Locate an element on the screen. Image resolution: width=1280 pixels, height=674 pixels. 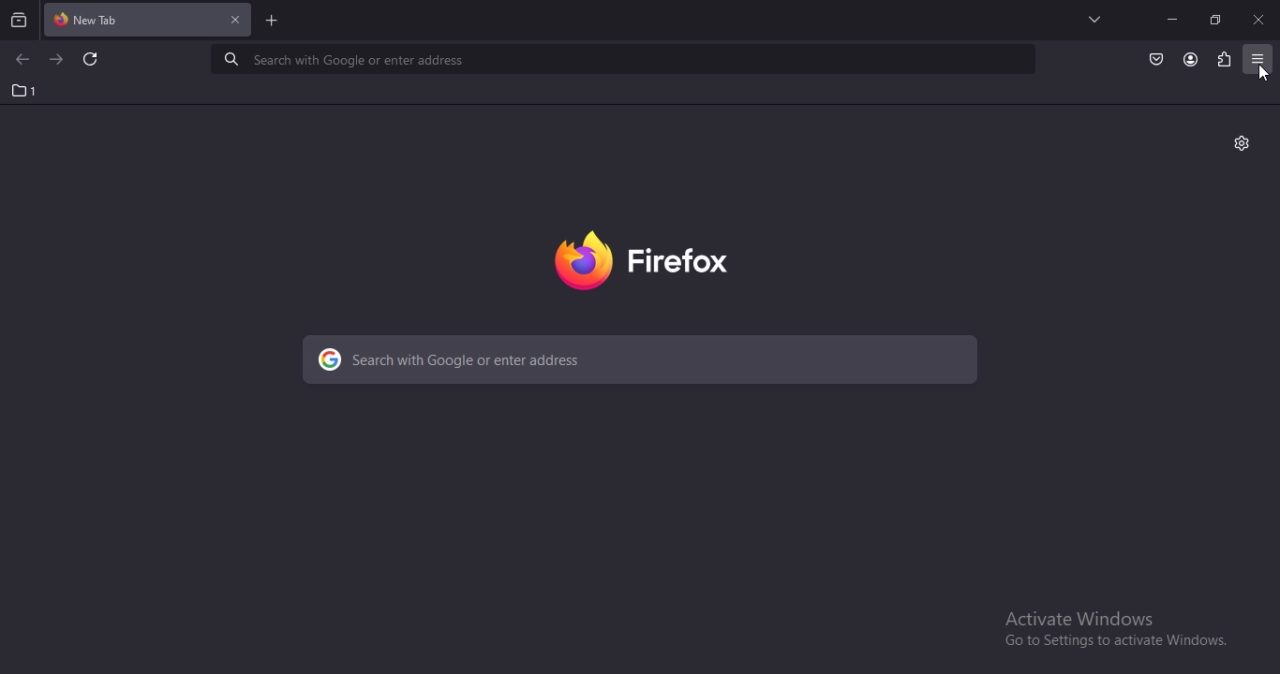
new tab is located at coordinates (106, 17).